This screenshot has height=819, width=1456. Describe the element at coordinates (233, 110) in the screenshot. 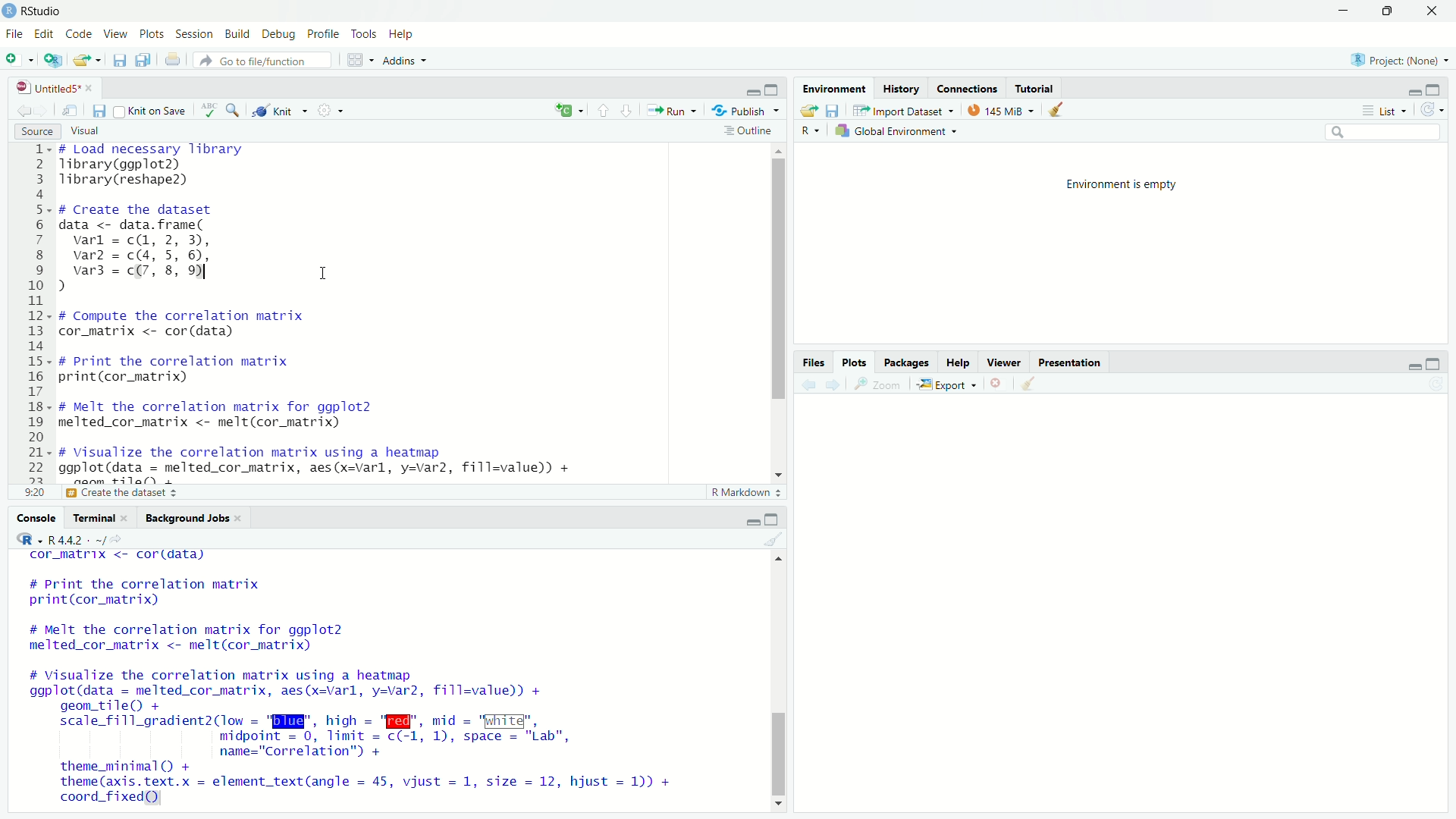

I see `find and replace` at that location.